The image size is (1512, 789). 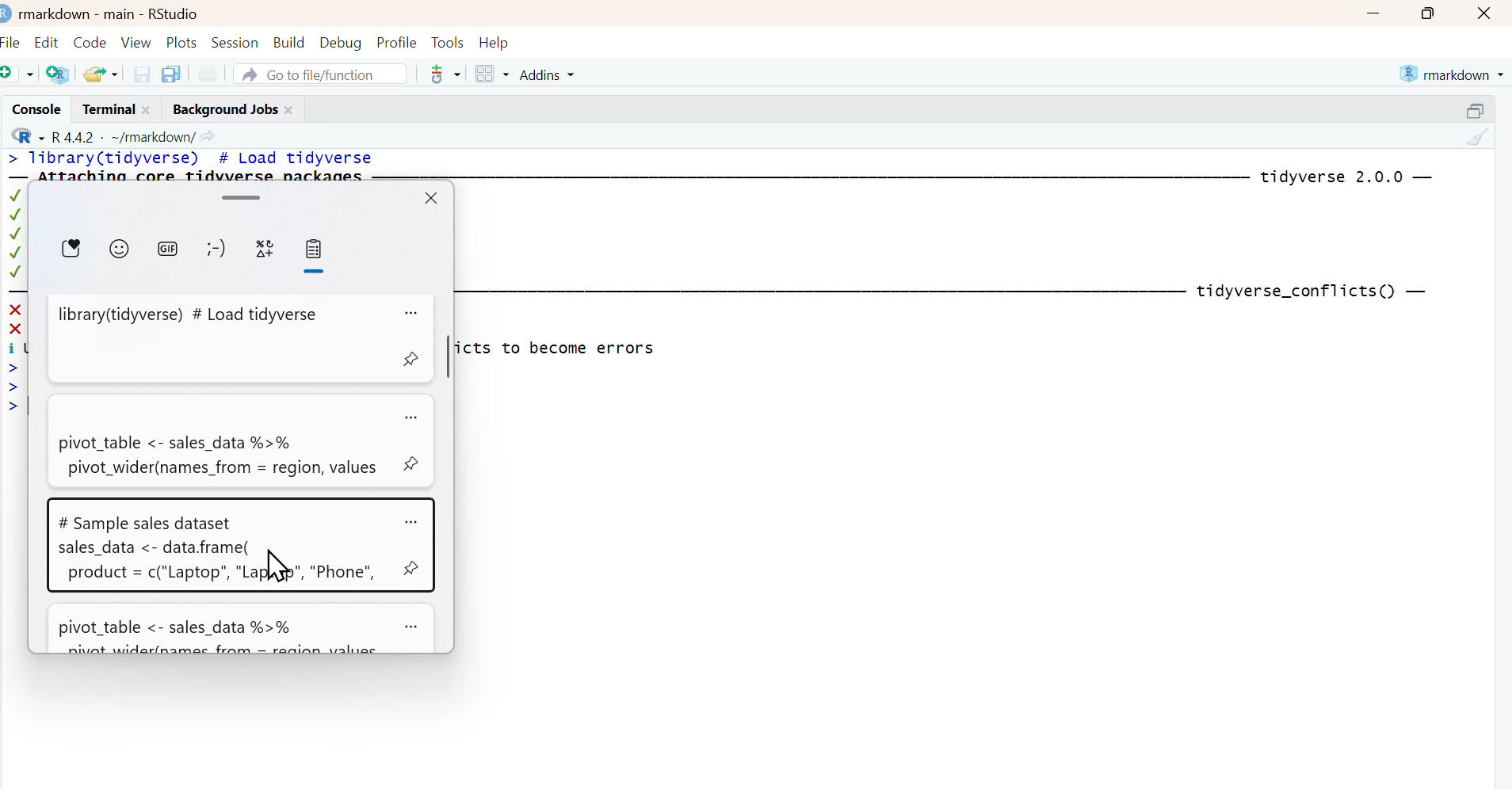 I want to click on Console, so click(x=33, y=109).